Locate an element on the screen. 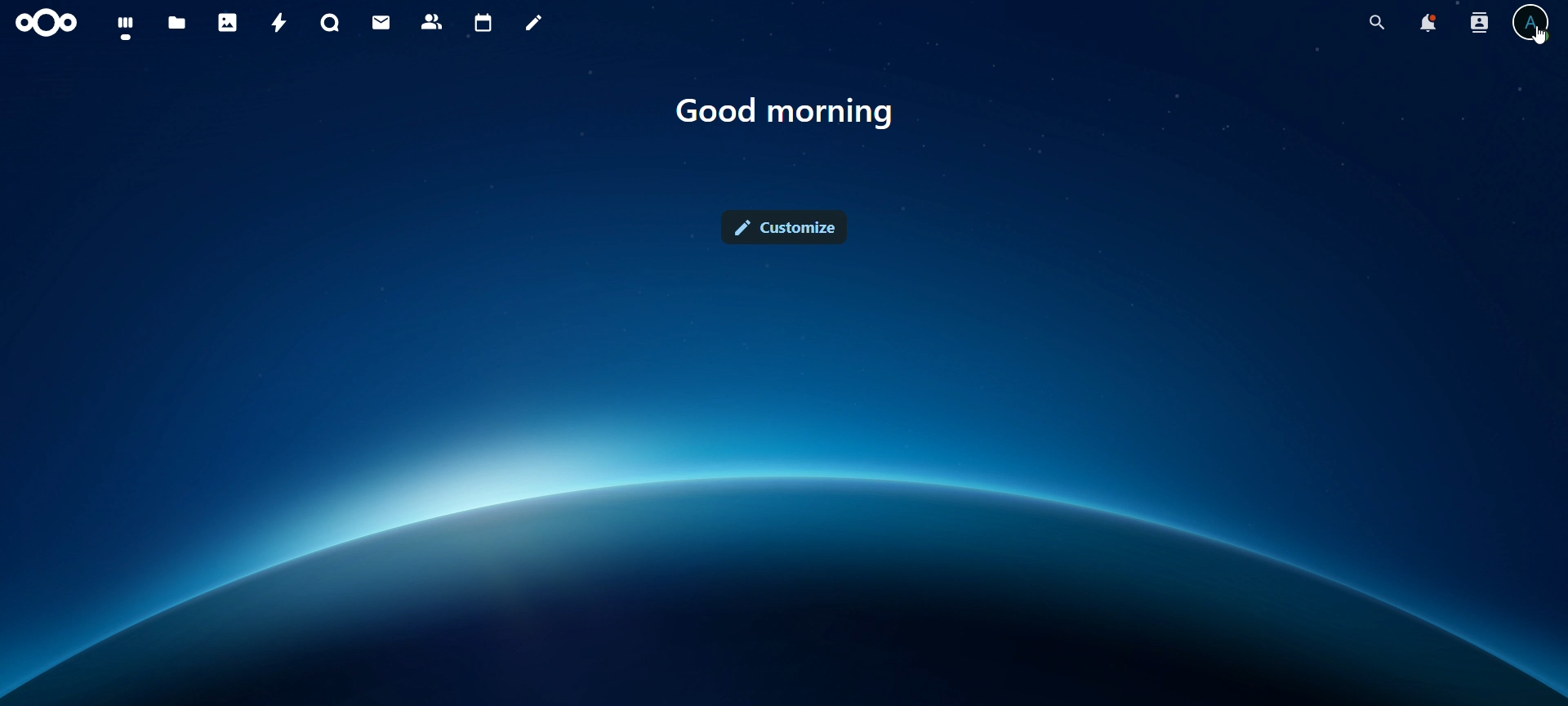 This screenshot has height=706, width=1568. search contacts is located at coordinates (1479, 25).